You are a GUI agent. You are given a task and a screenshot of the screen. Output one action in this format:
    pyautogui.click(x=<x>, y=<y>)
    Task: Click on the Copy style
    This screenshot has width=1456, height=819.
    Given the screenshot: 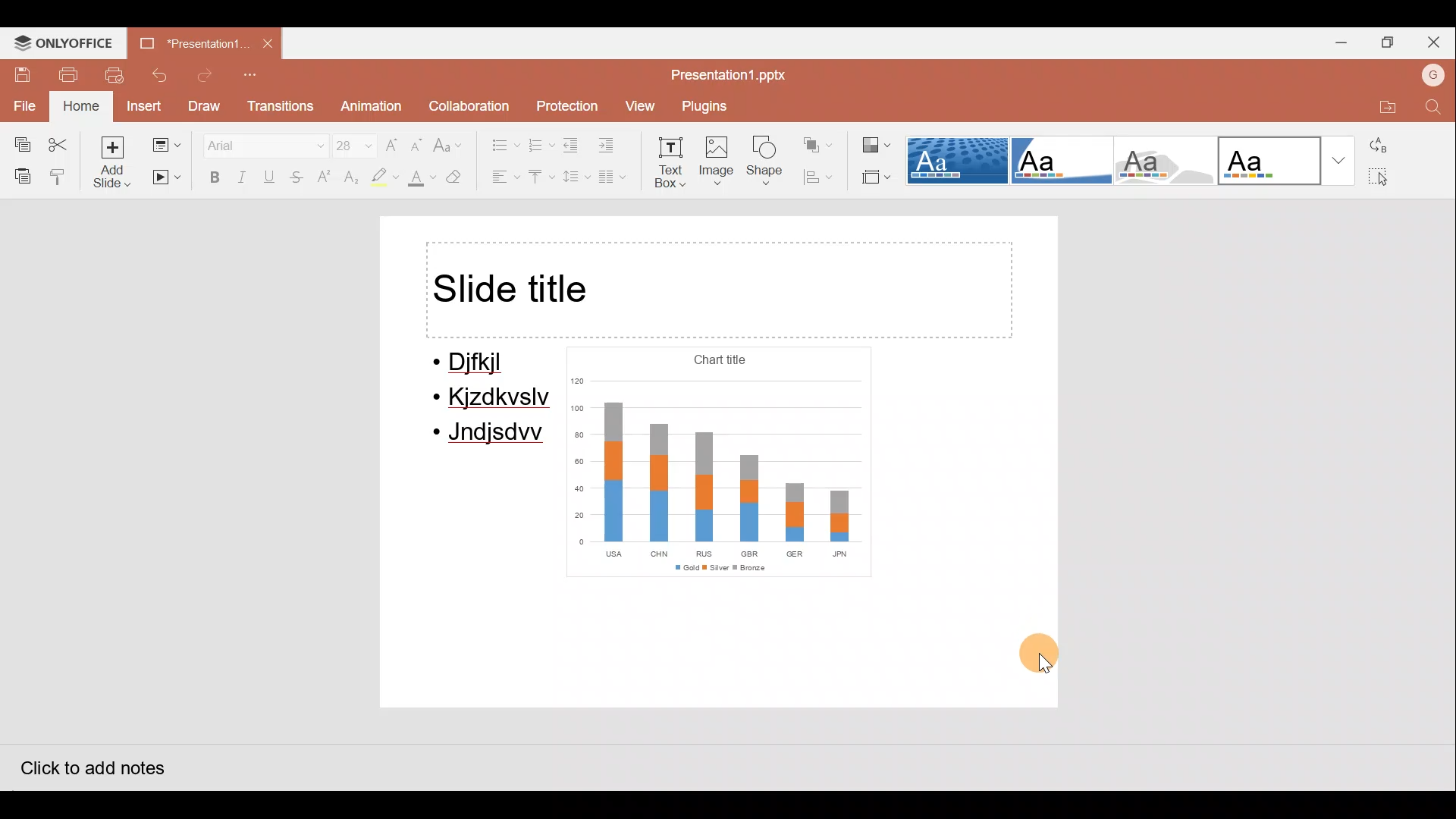 What is the action you would take?
    pyautogui.click(x=65, y=176)
    